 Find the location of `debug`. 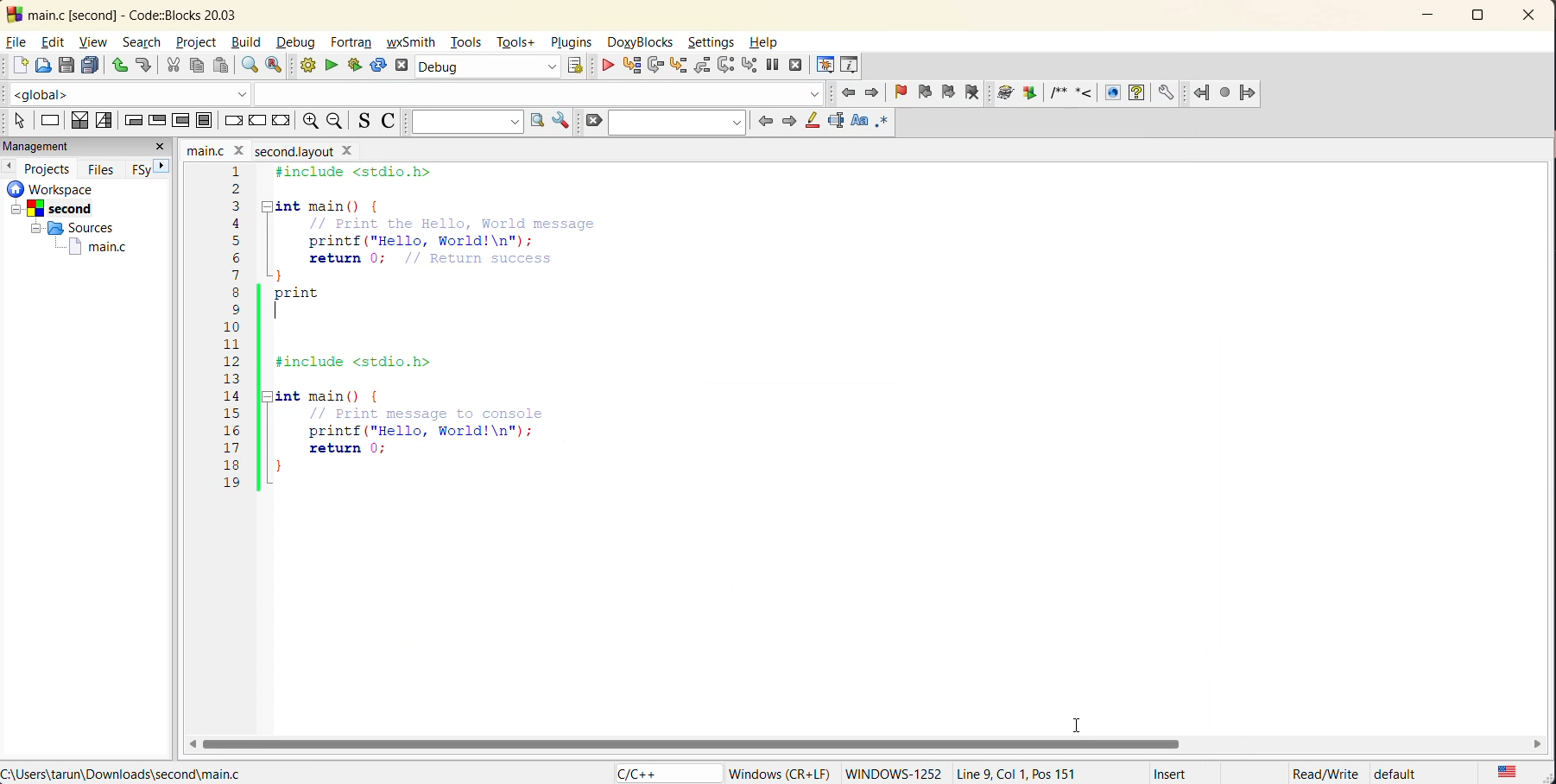

debug is located at coordinates (300, 43).